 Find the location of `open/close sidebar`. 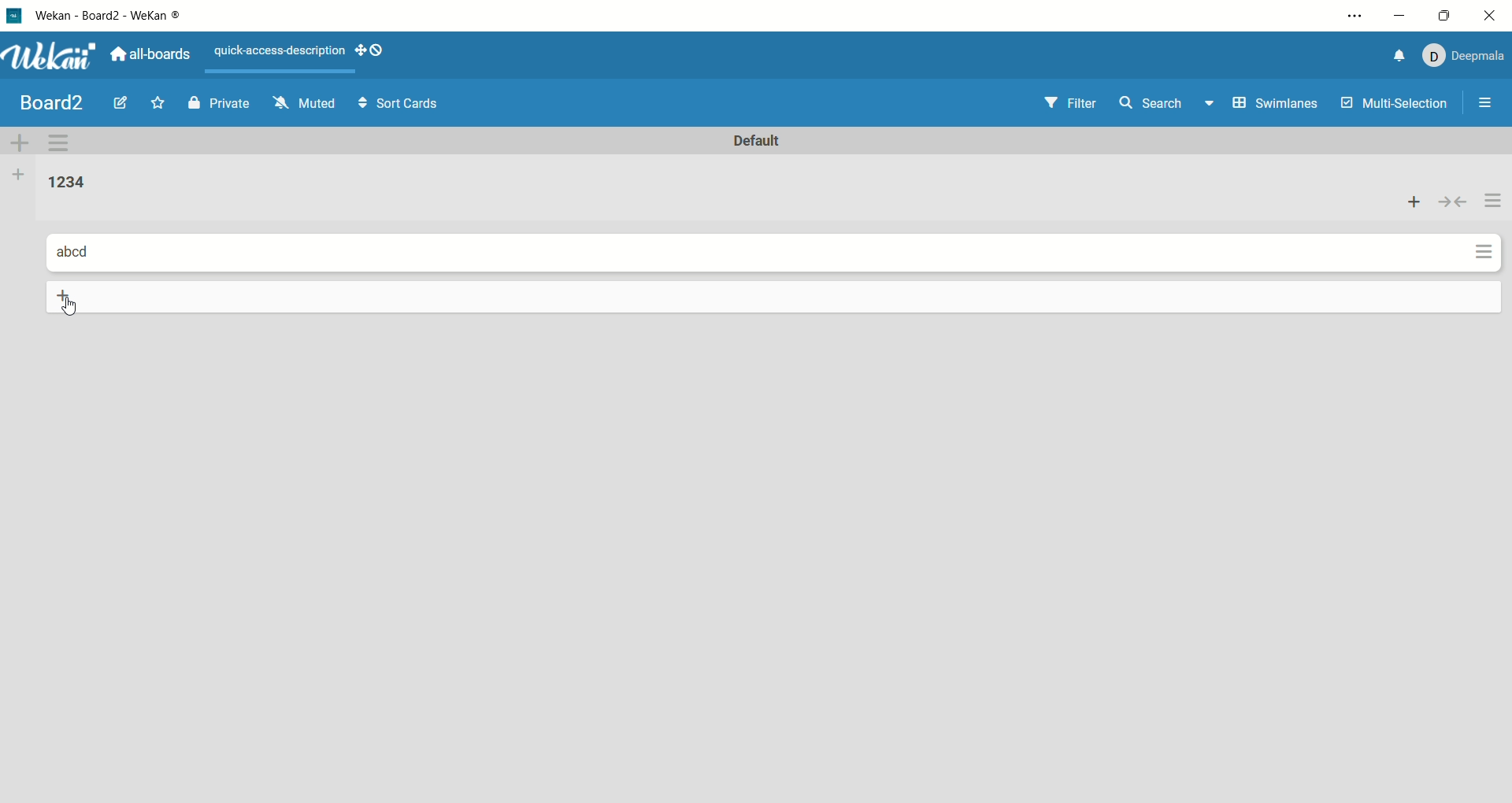

open/close sidebar is located at coordinates (1488, 107).